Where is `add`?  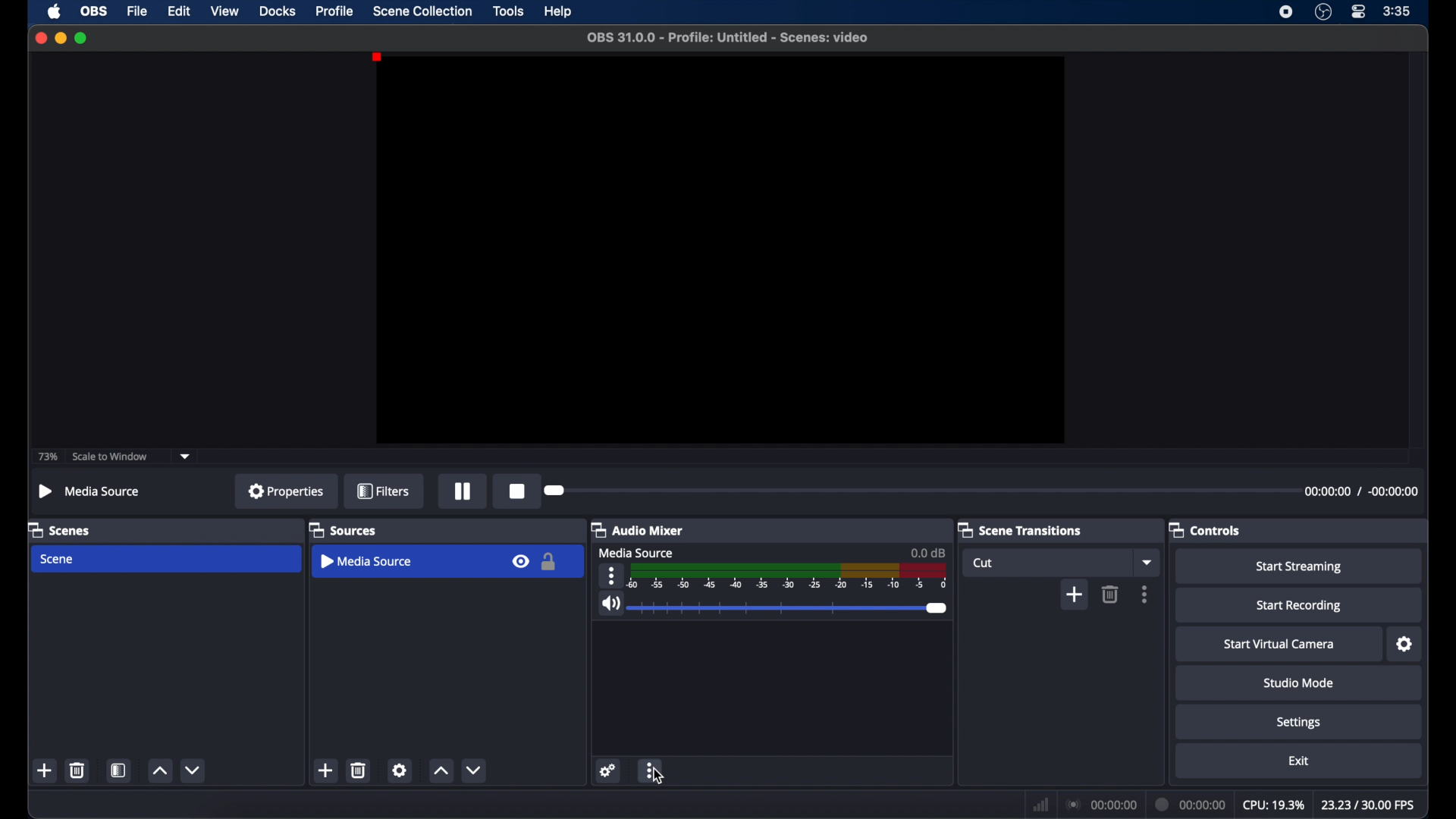 add is located at coordinates (45, 770).